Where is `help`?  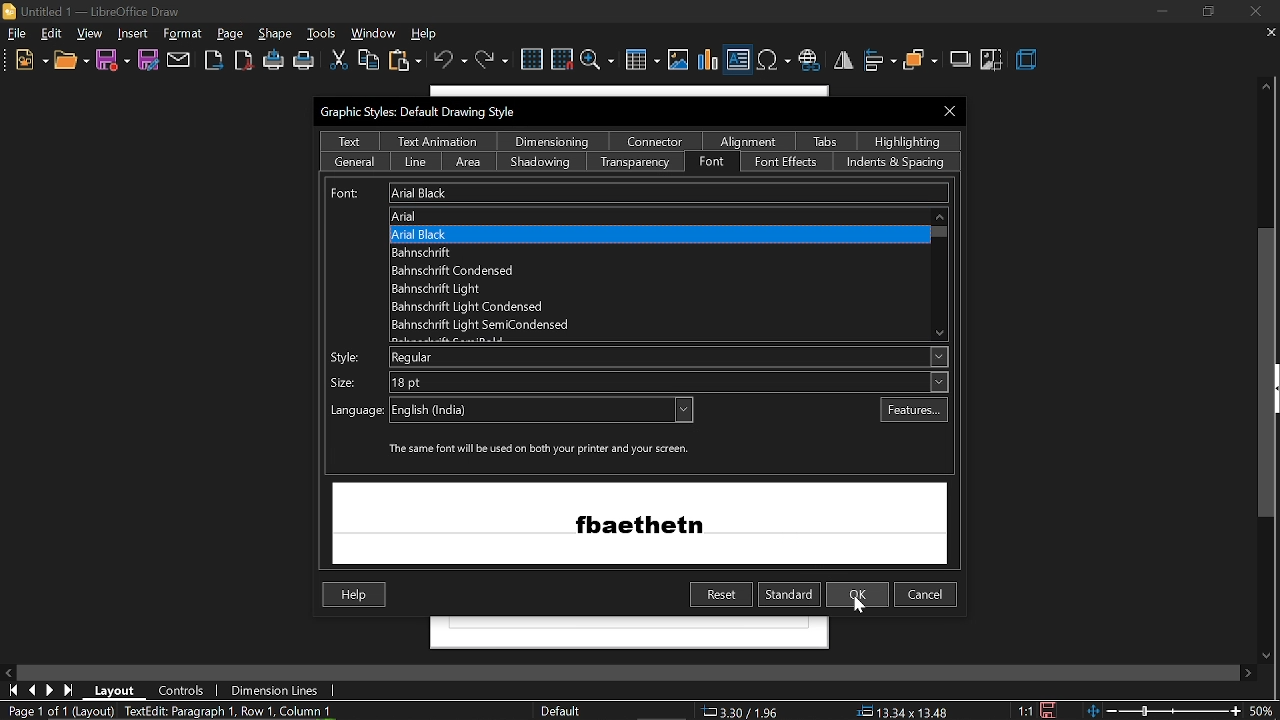 help is located at coordinates (431, 33).